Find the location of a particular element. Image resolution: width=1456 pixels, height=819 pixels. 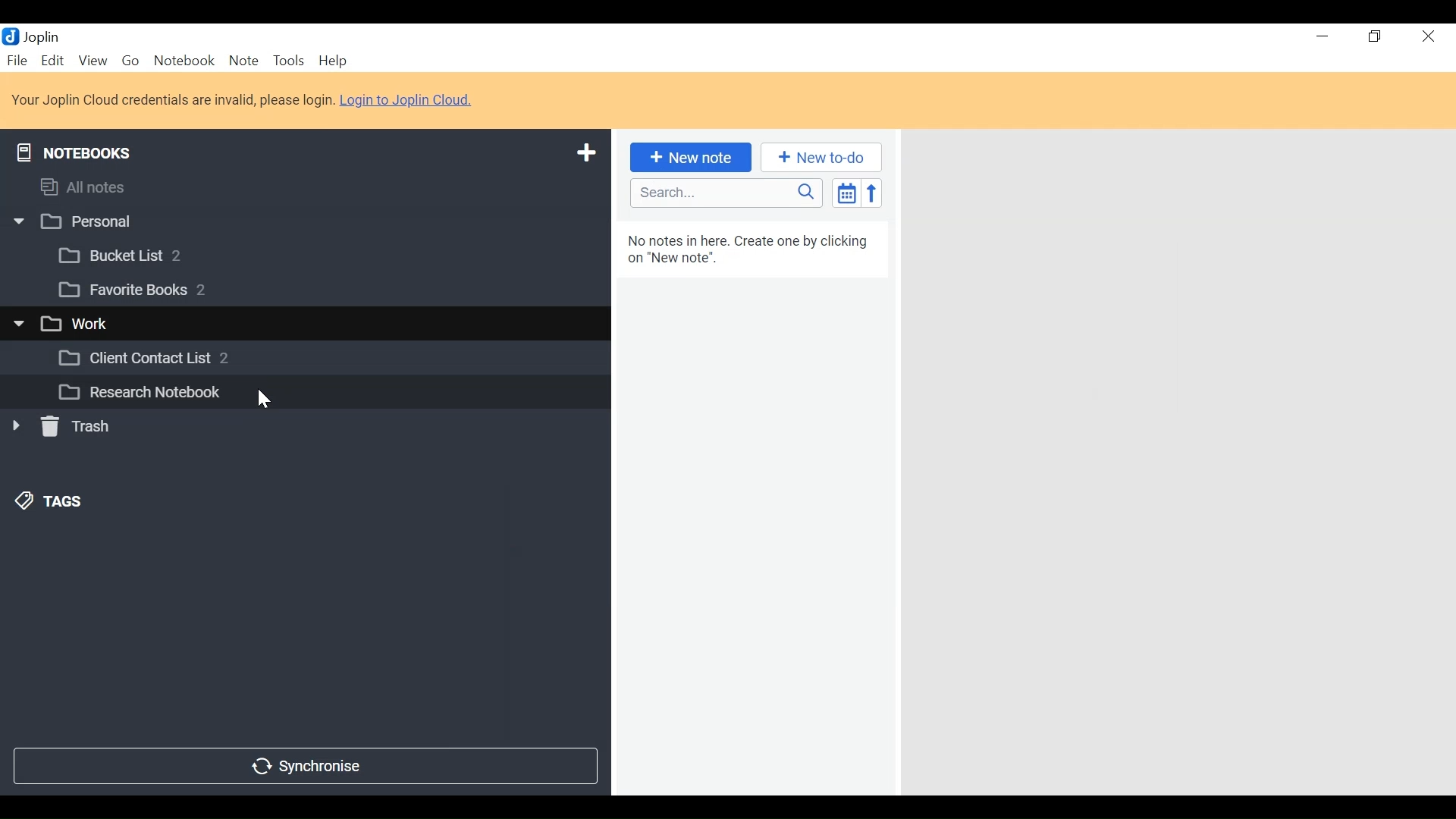

Close is located at coordinates (1426, 37).